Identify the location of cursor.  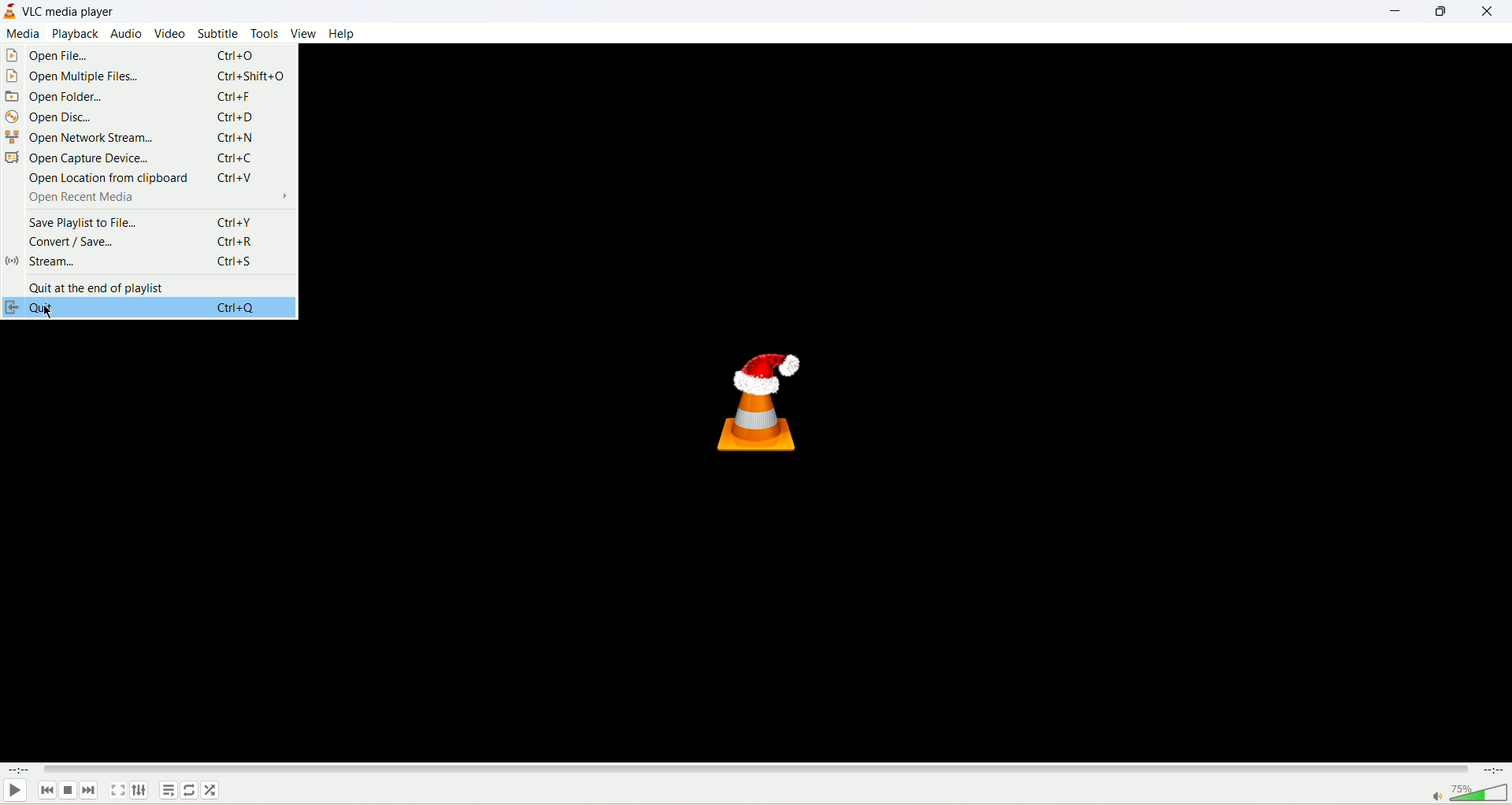
(50, 312).